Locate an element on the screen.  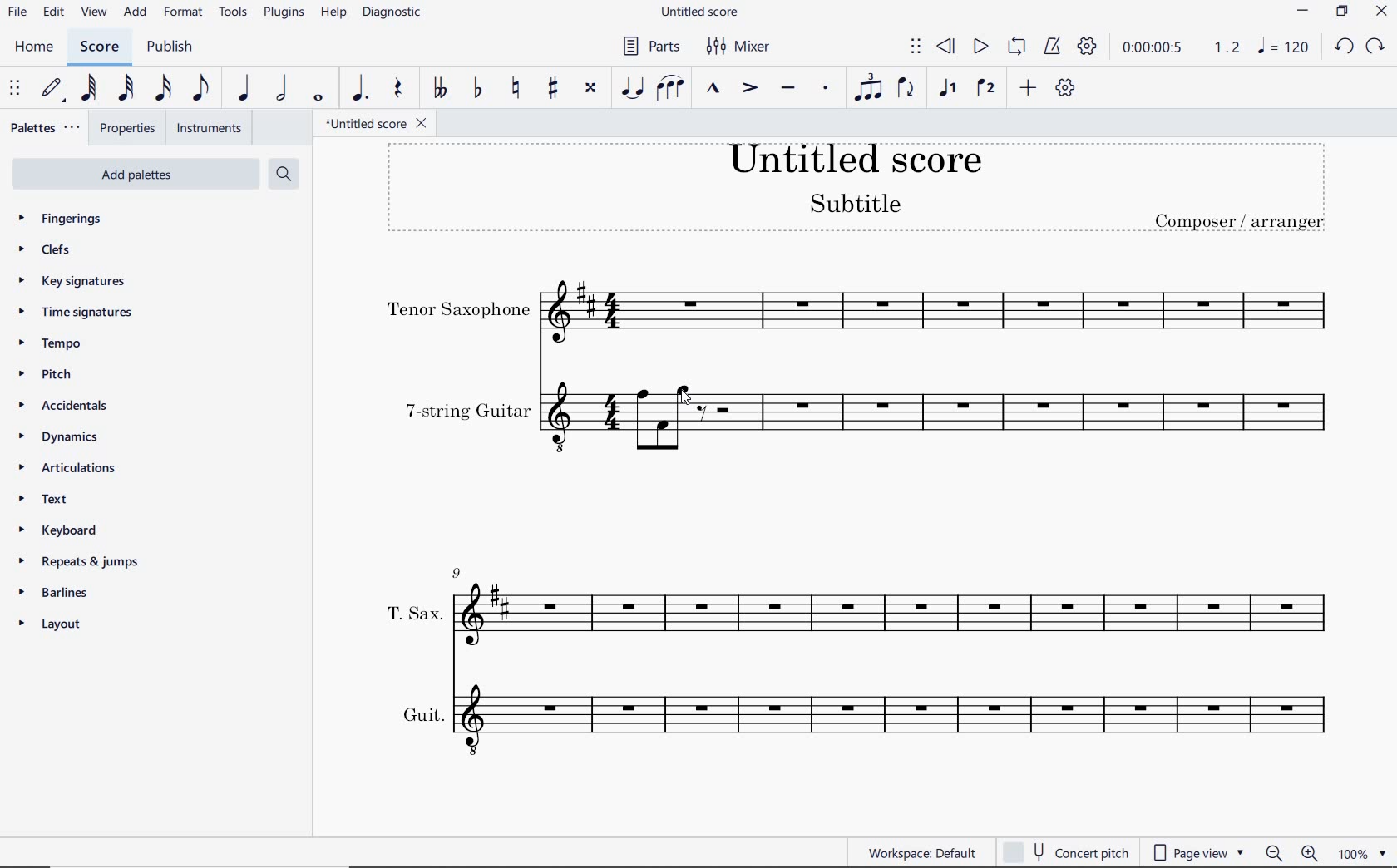
TENUTO is located at coordinates (787, 88).